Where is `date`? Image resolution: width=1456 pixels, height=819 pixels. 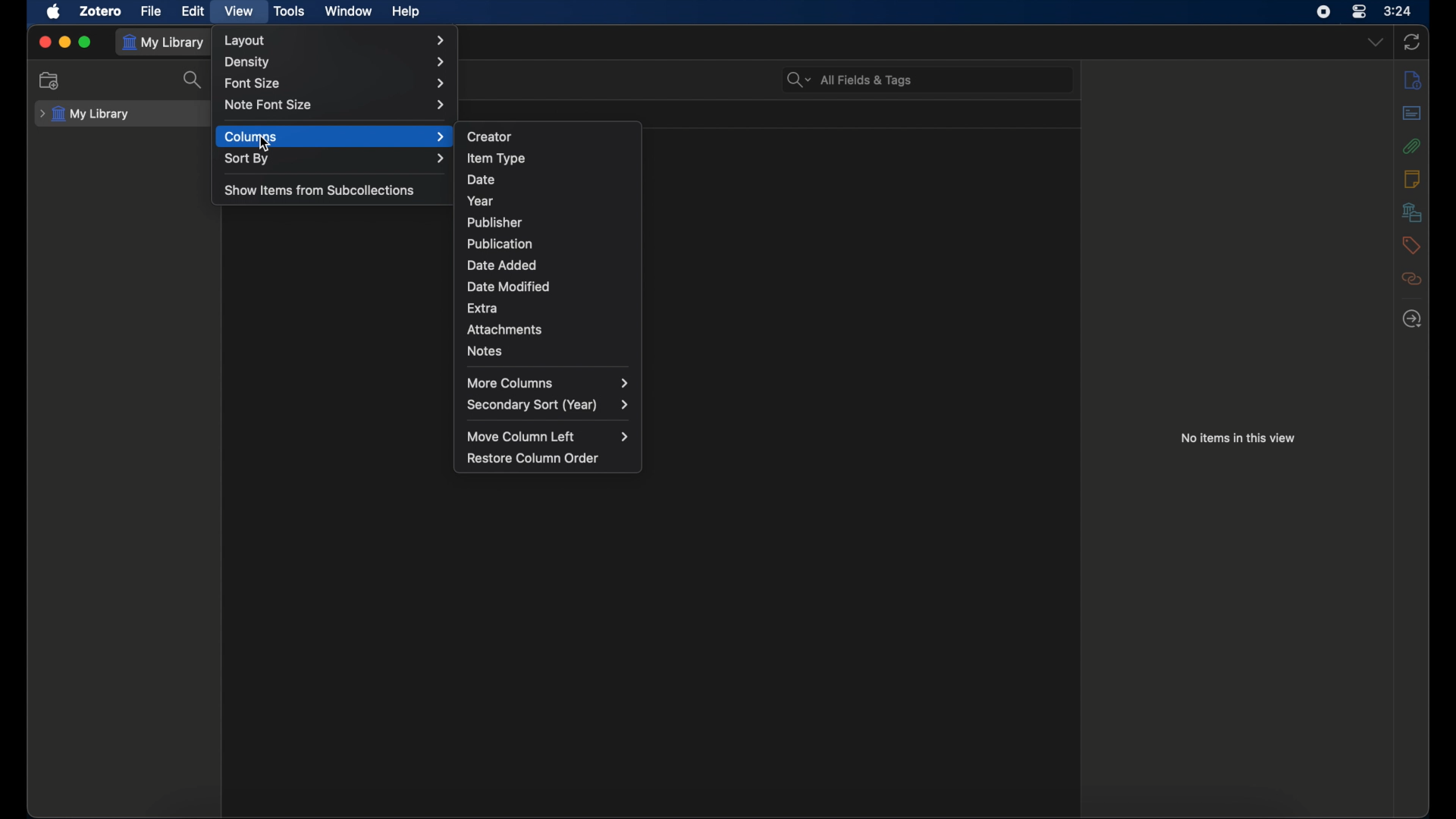
date is located at coordinates (483, 180).